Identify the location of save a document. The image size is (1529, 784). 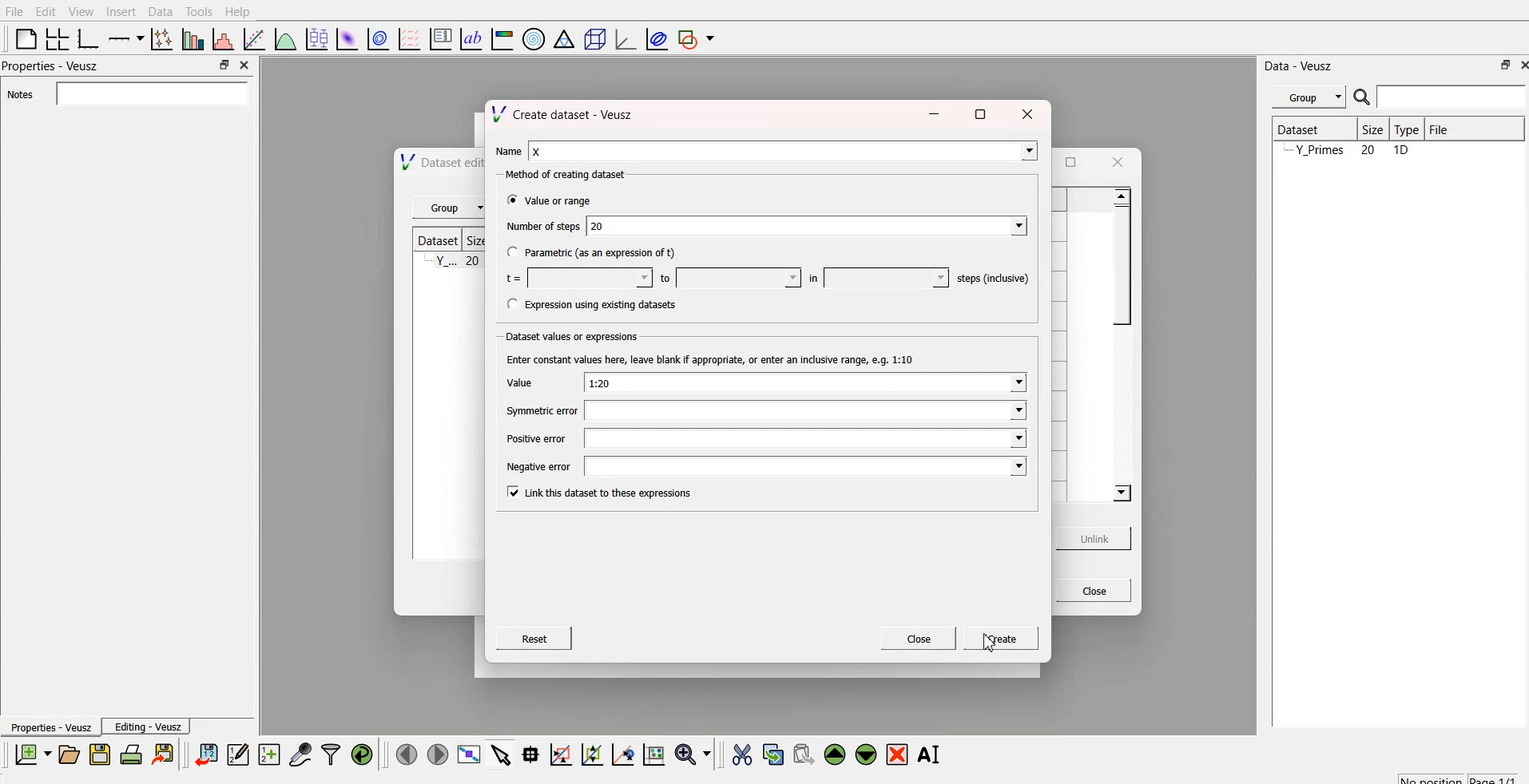
(100, 755).